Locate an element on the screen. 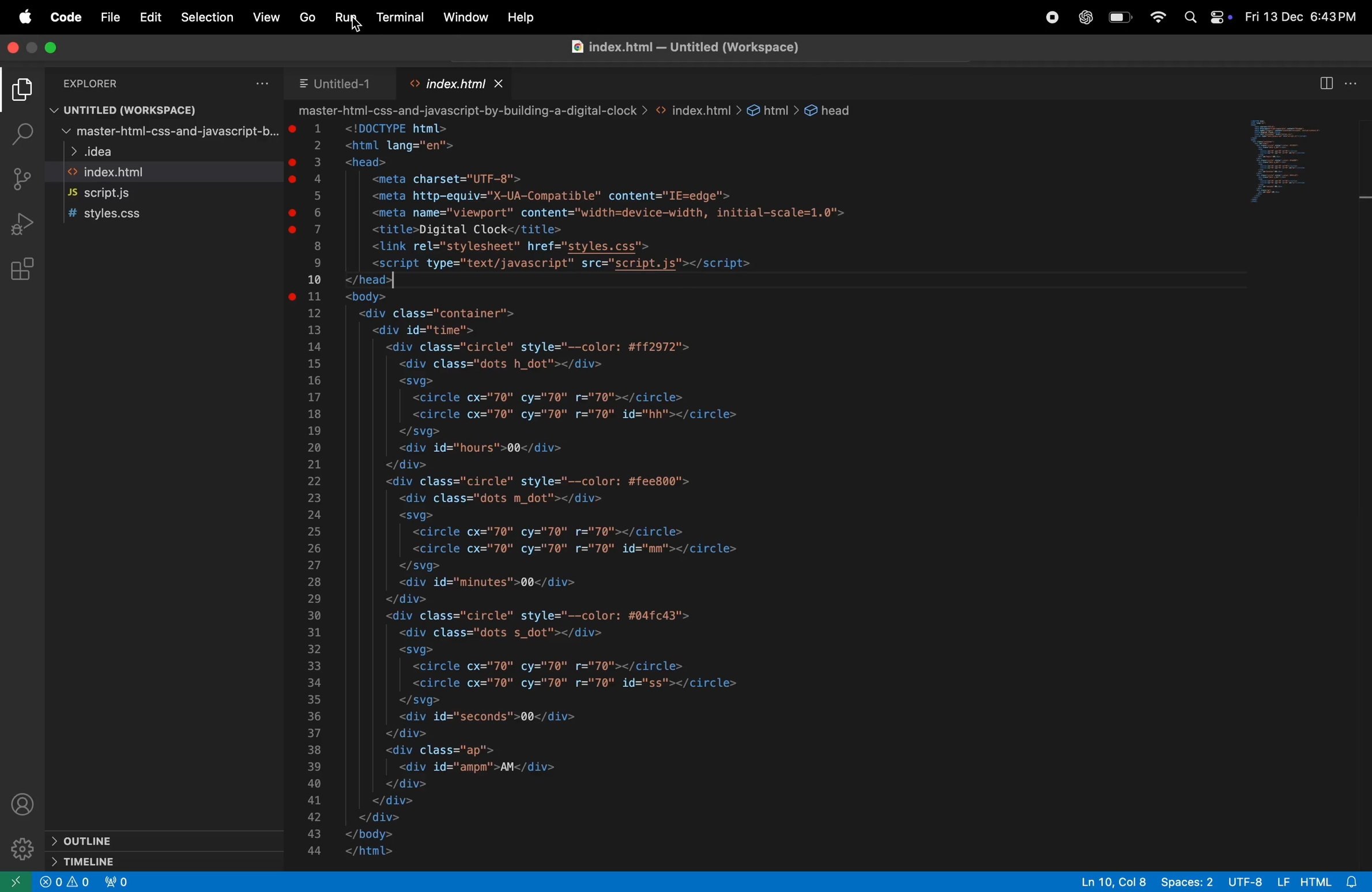 The image size is (1372, 892). search is located at coordinates (20, 131).